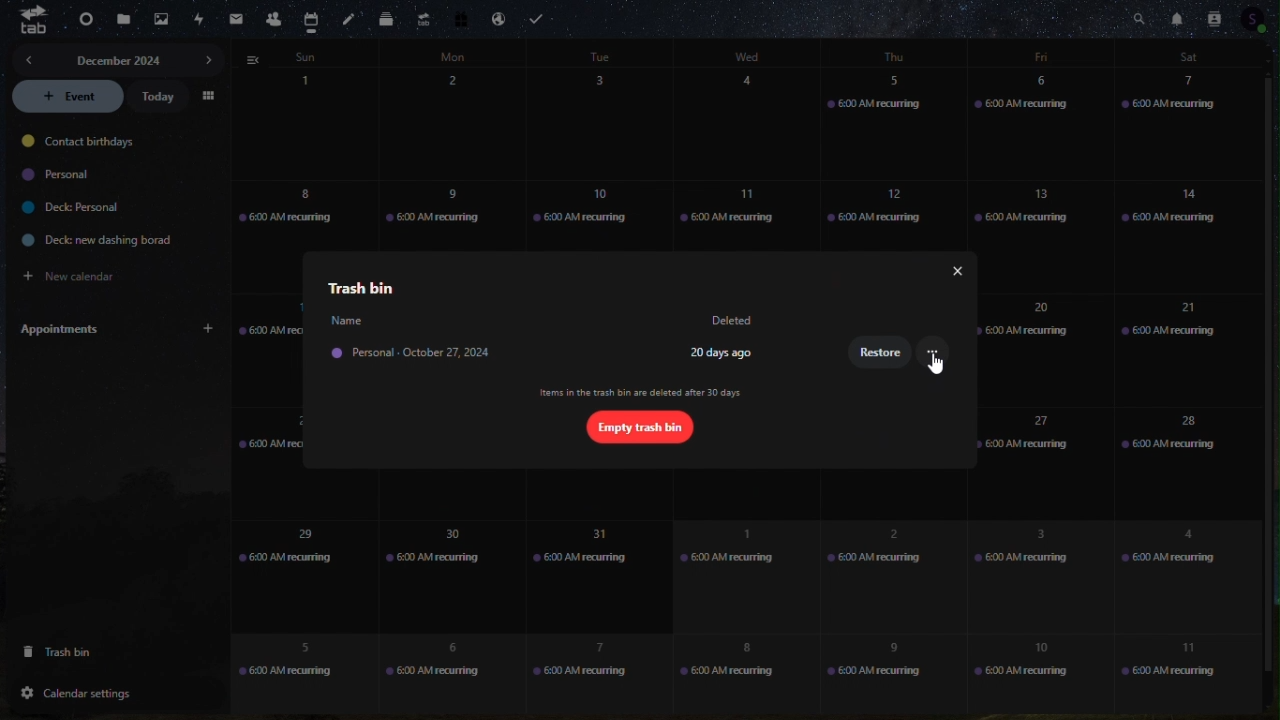  What do you see at coordinates (312, 16) in the screenshot?
I see `calendar` at bounding box center [312, 16].